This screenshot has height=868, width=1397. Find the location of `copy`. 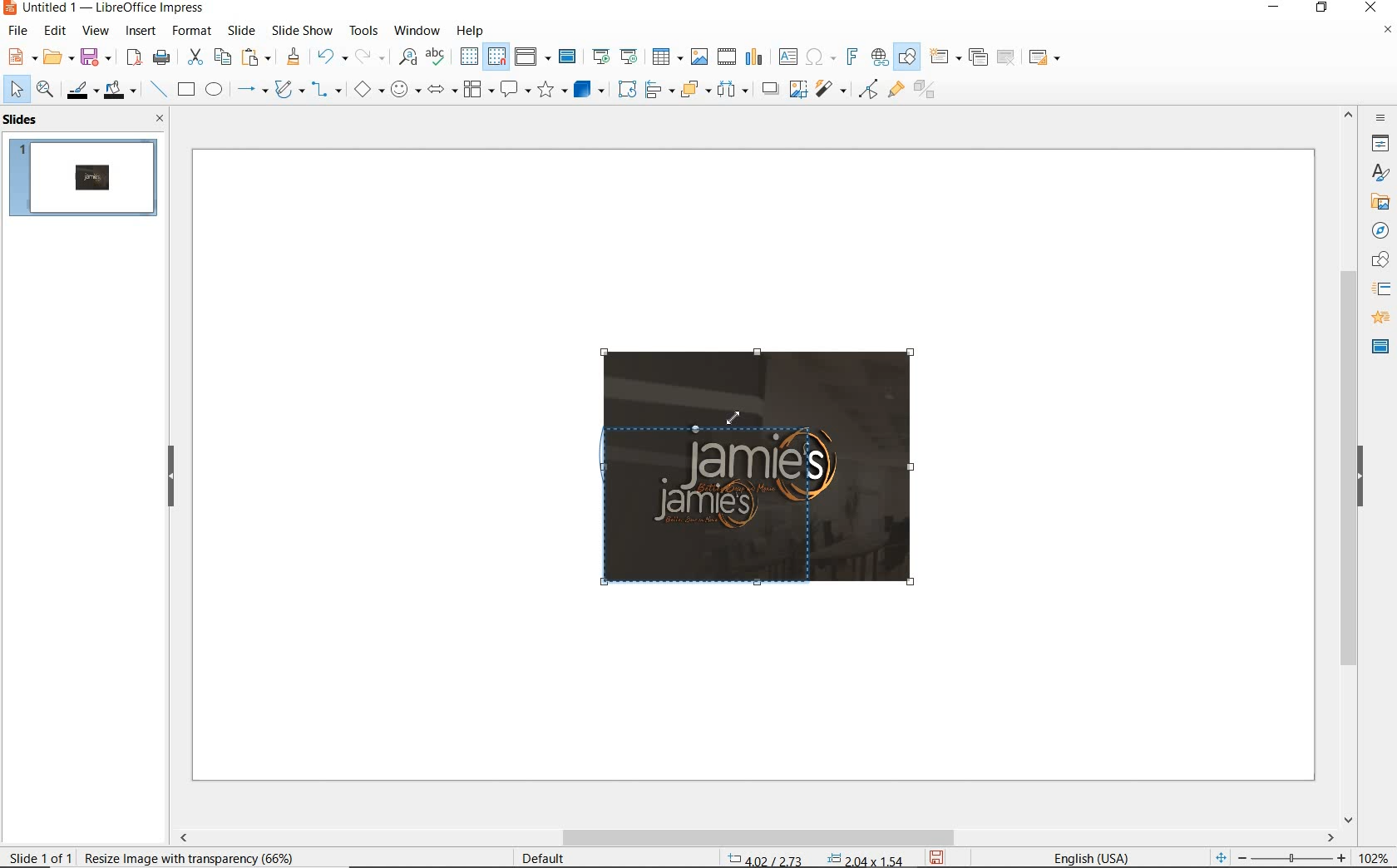

copy is located at coordinates (222, 57).